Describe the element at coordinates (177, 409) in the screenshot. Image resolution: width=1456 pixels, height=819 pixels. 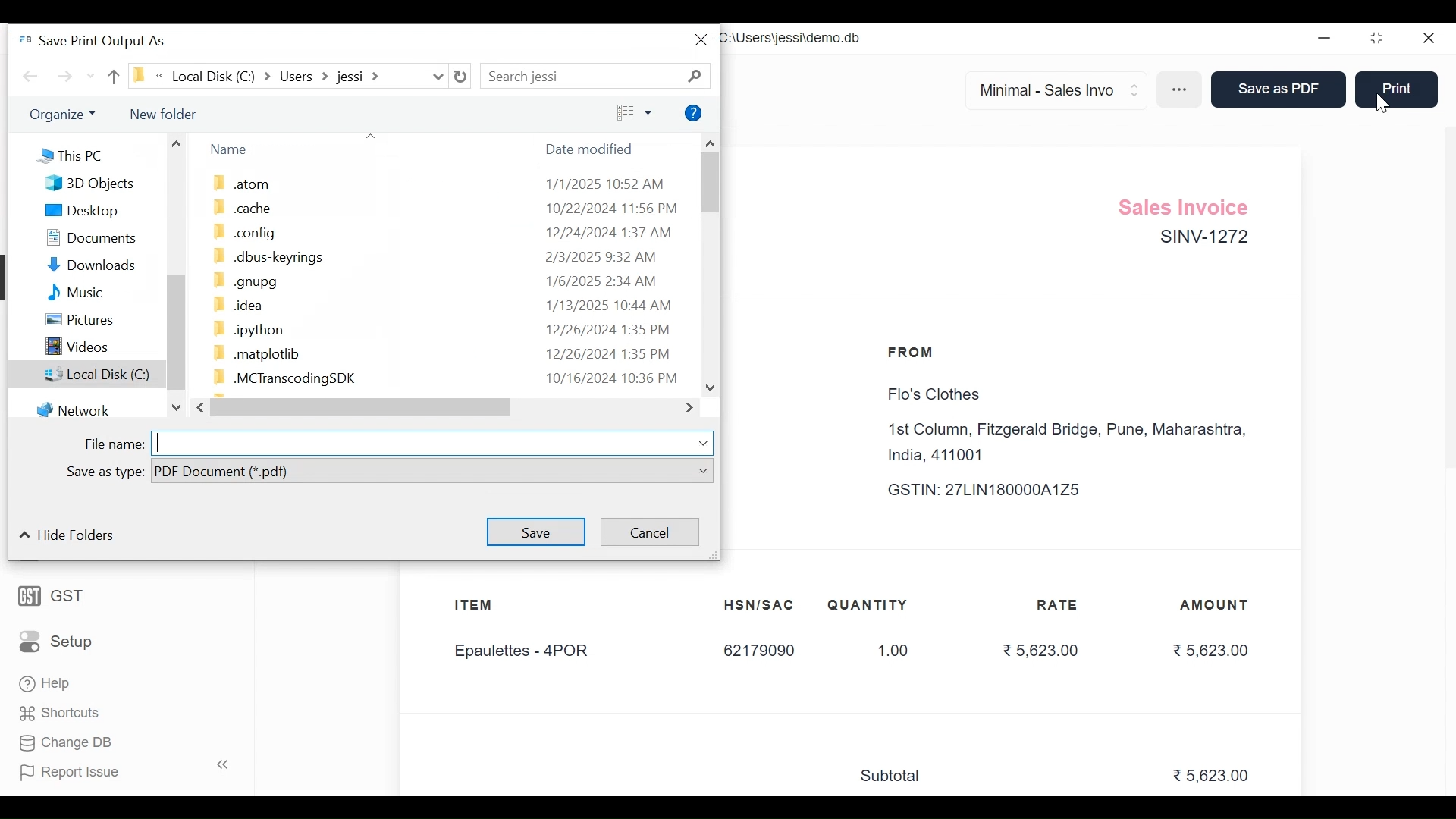
I see `Scroll down` at that location.